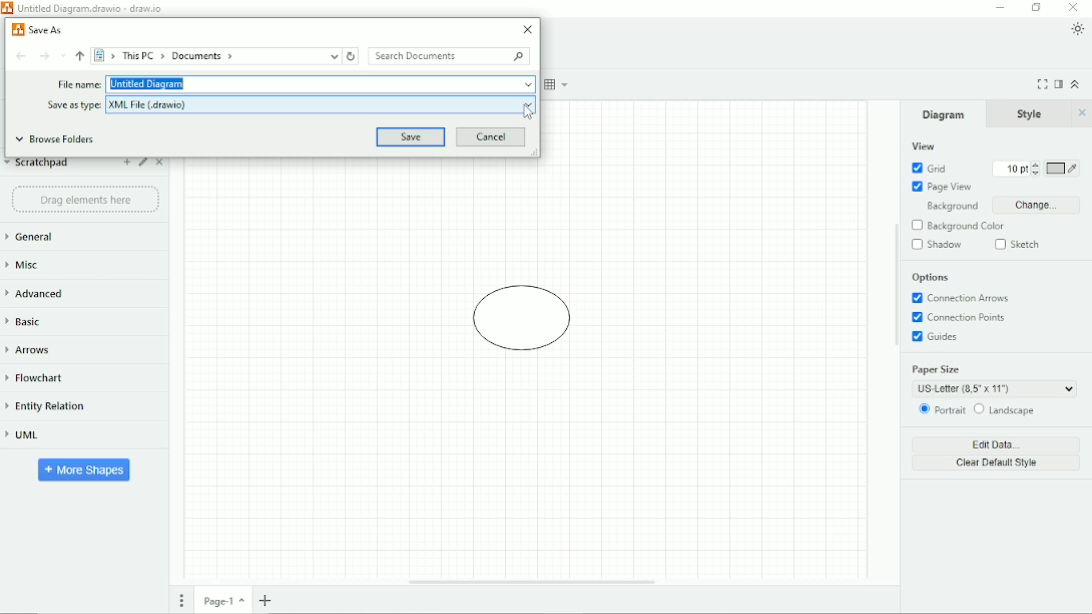 This screenshot has width=1092, height=614. Describe the element at coordinates (81, 58) in the screenshot. I see `Up to "This PC"` at that location.